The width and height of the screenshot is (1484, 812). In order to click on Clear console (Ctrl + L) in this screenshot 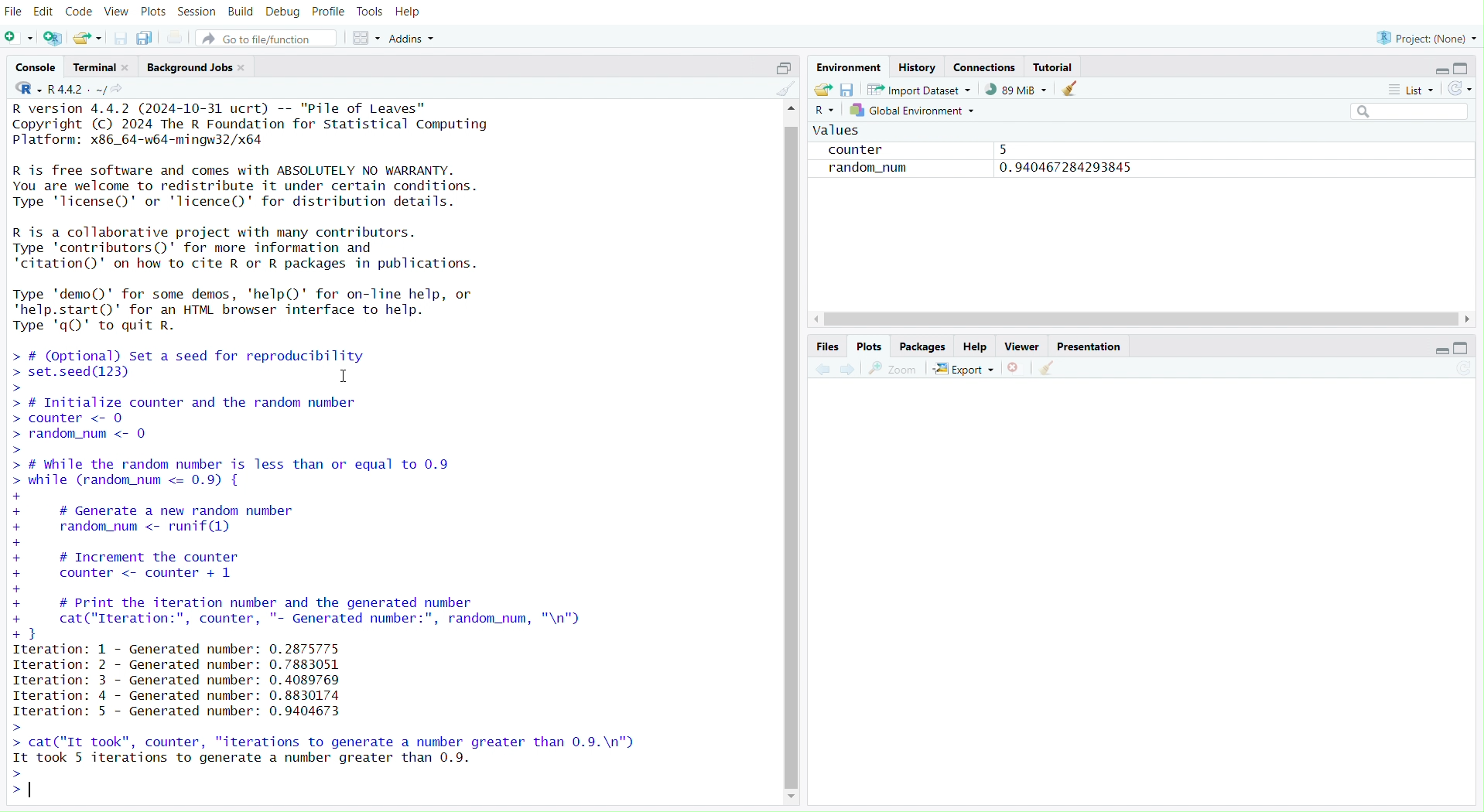, I will do `click(1072, 87)`.